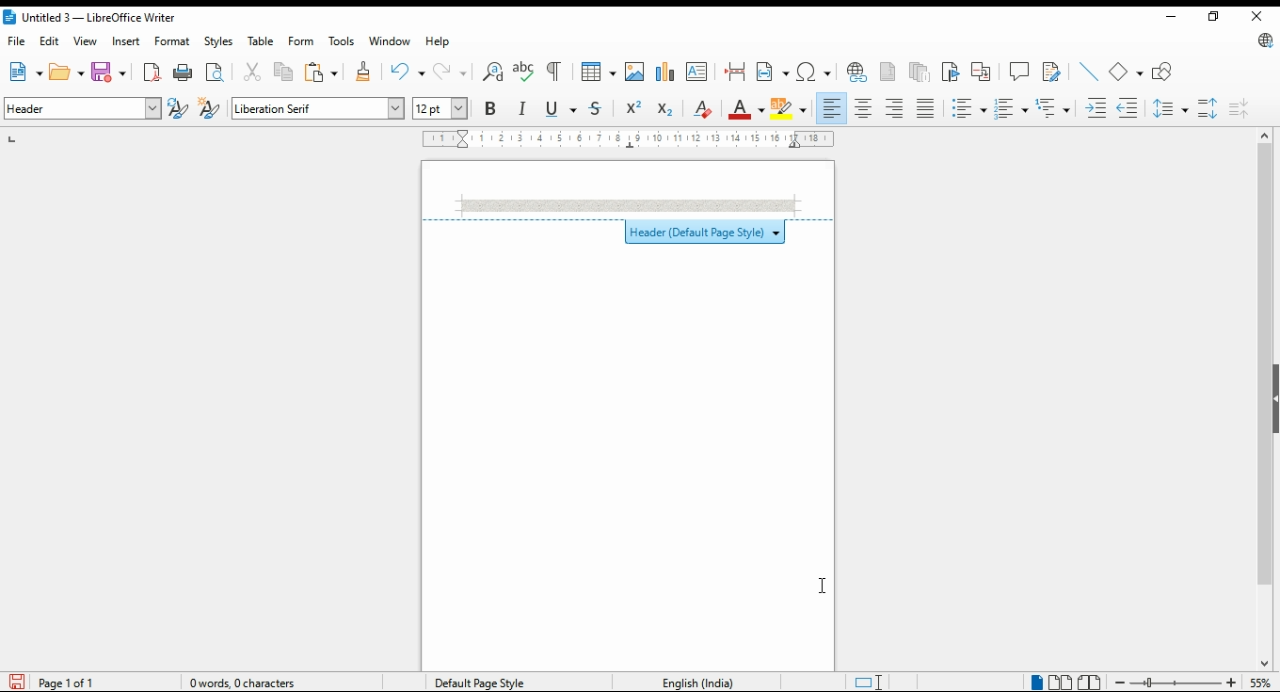 This screenshot has height=692, width=1280. I want to click on insert chart, so click(665, 72).